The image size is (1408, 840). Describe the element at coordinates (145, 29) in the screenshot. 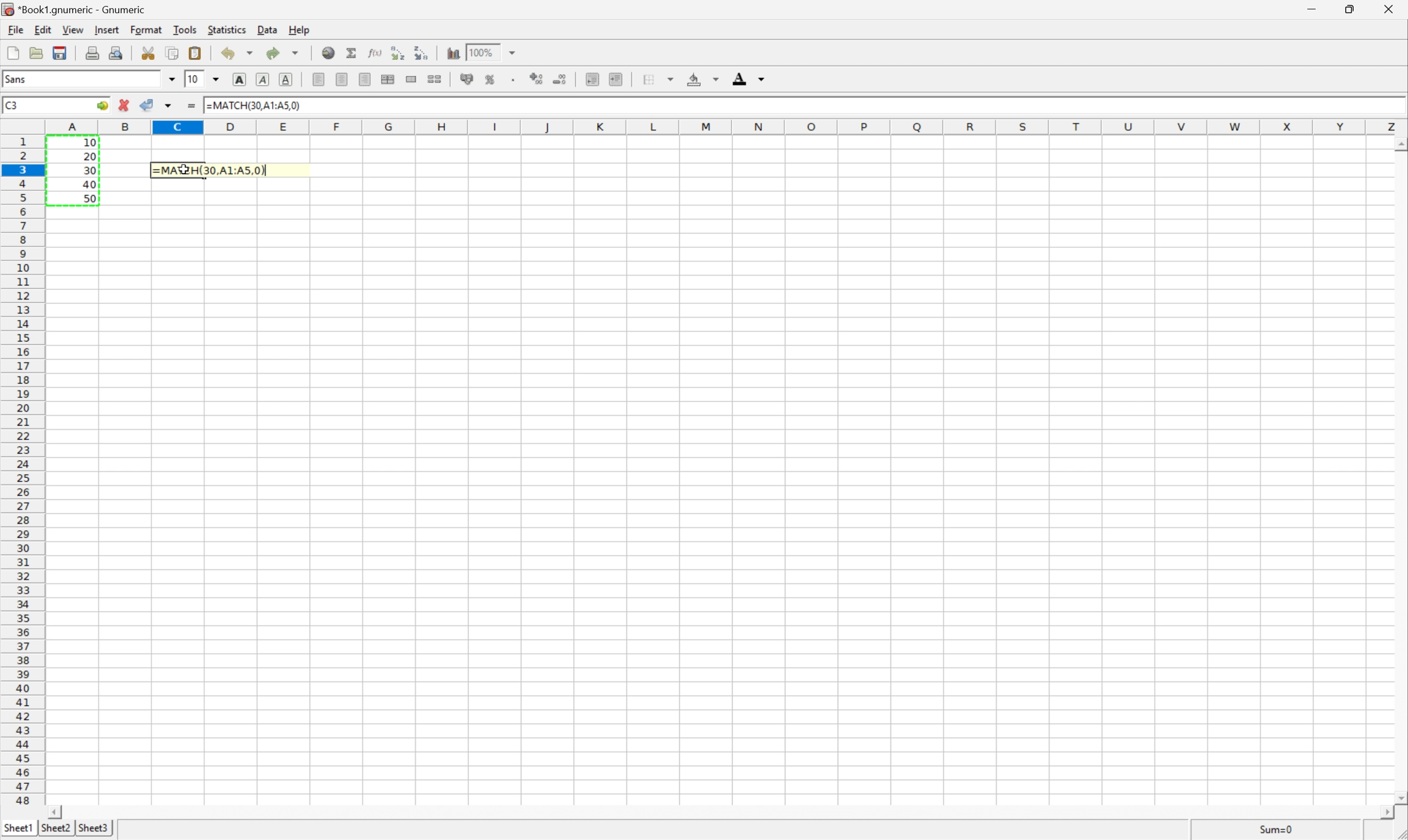

I see `Format` at that location.